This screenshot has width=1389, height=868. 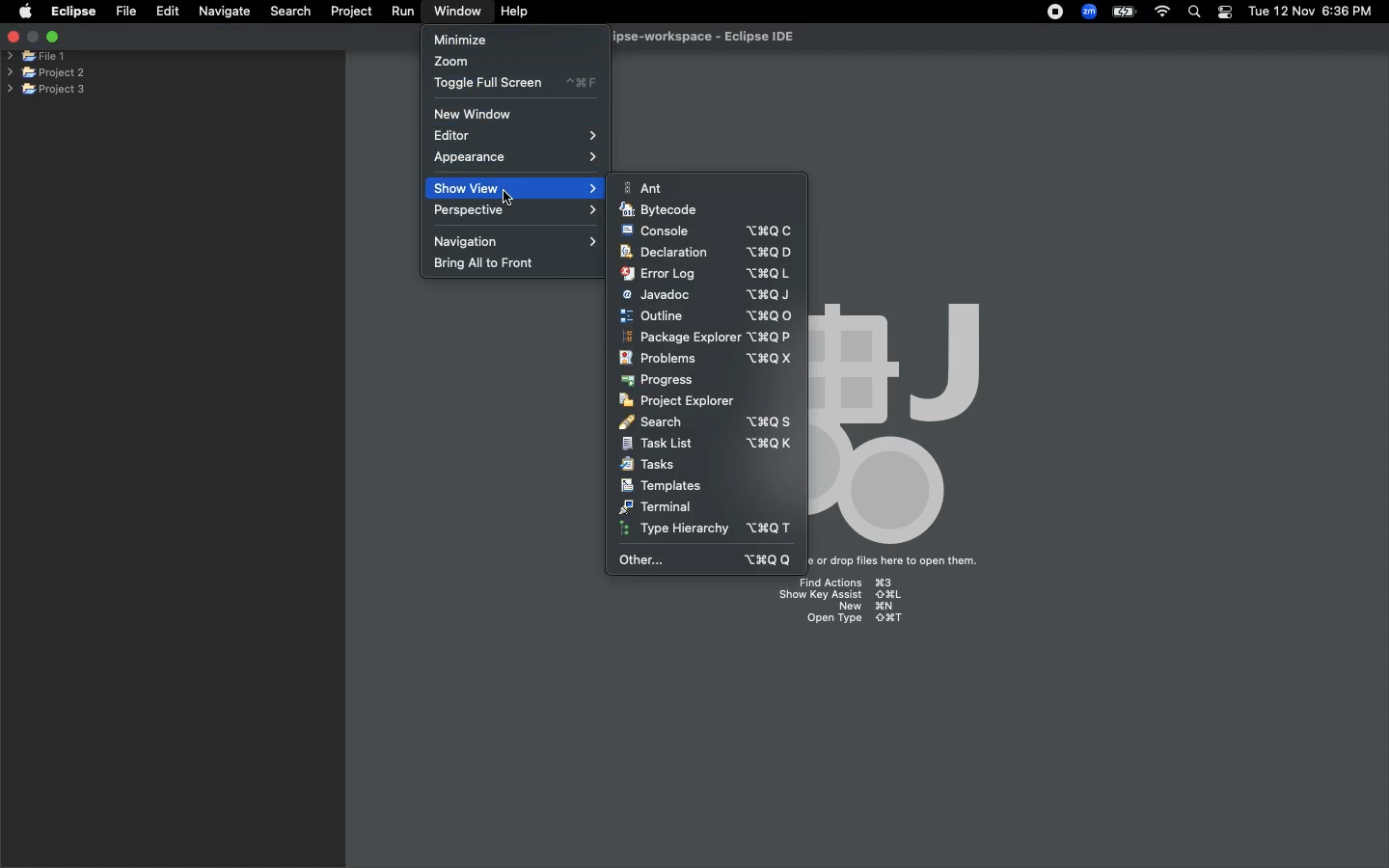 I want to click on Help, so click(x=516, y=12).